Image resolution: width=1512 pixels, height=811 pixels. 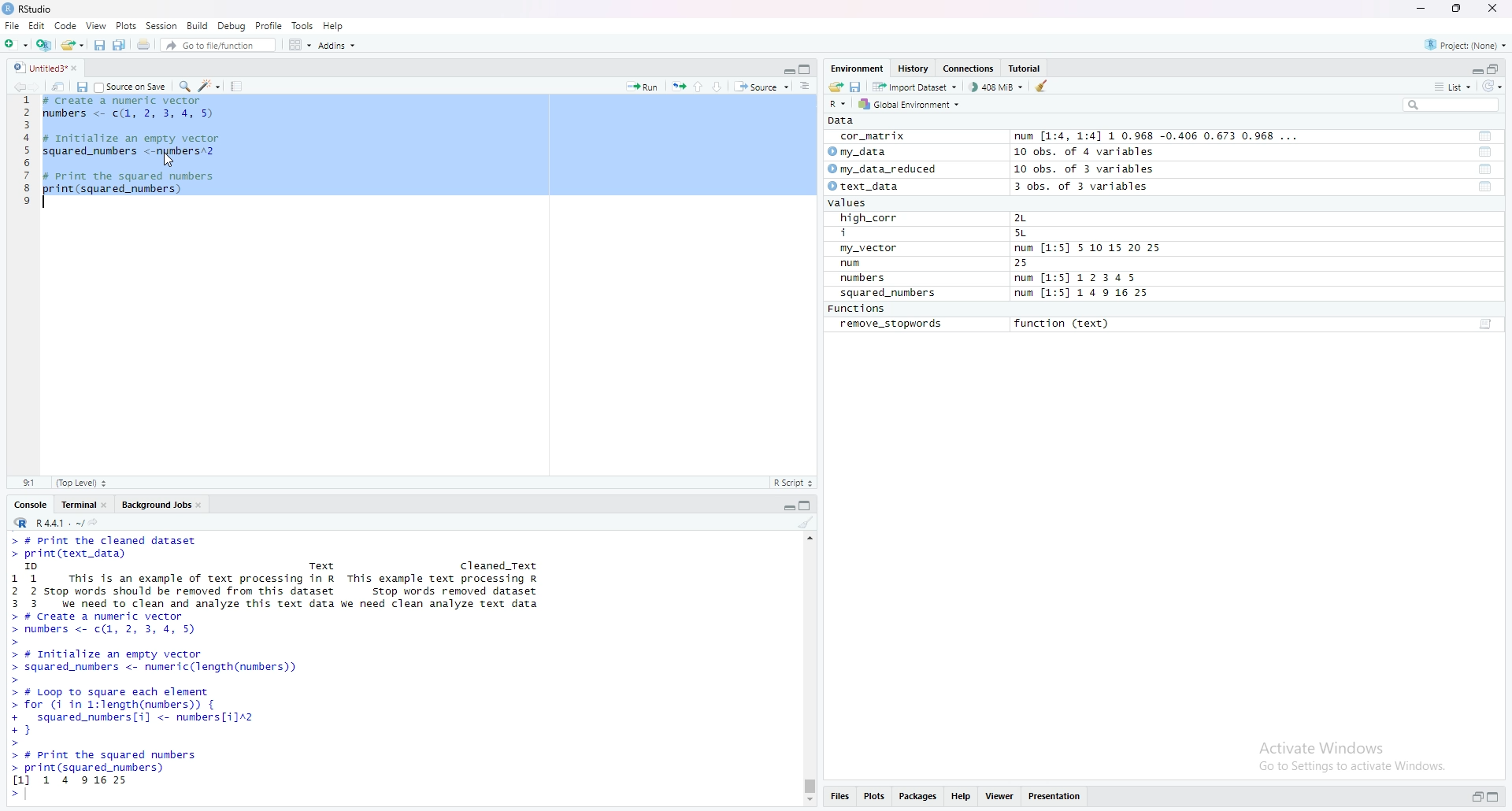 I want to click on numbers, so click(x=866, y=279).